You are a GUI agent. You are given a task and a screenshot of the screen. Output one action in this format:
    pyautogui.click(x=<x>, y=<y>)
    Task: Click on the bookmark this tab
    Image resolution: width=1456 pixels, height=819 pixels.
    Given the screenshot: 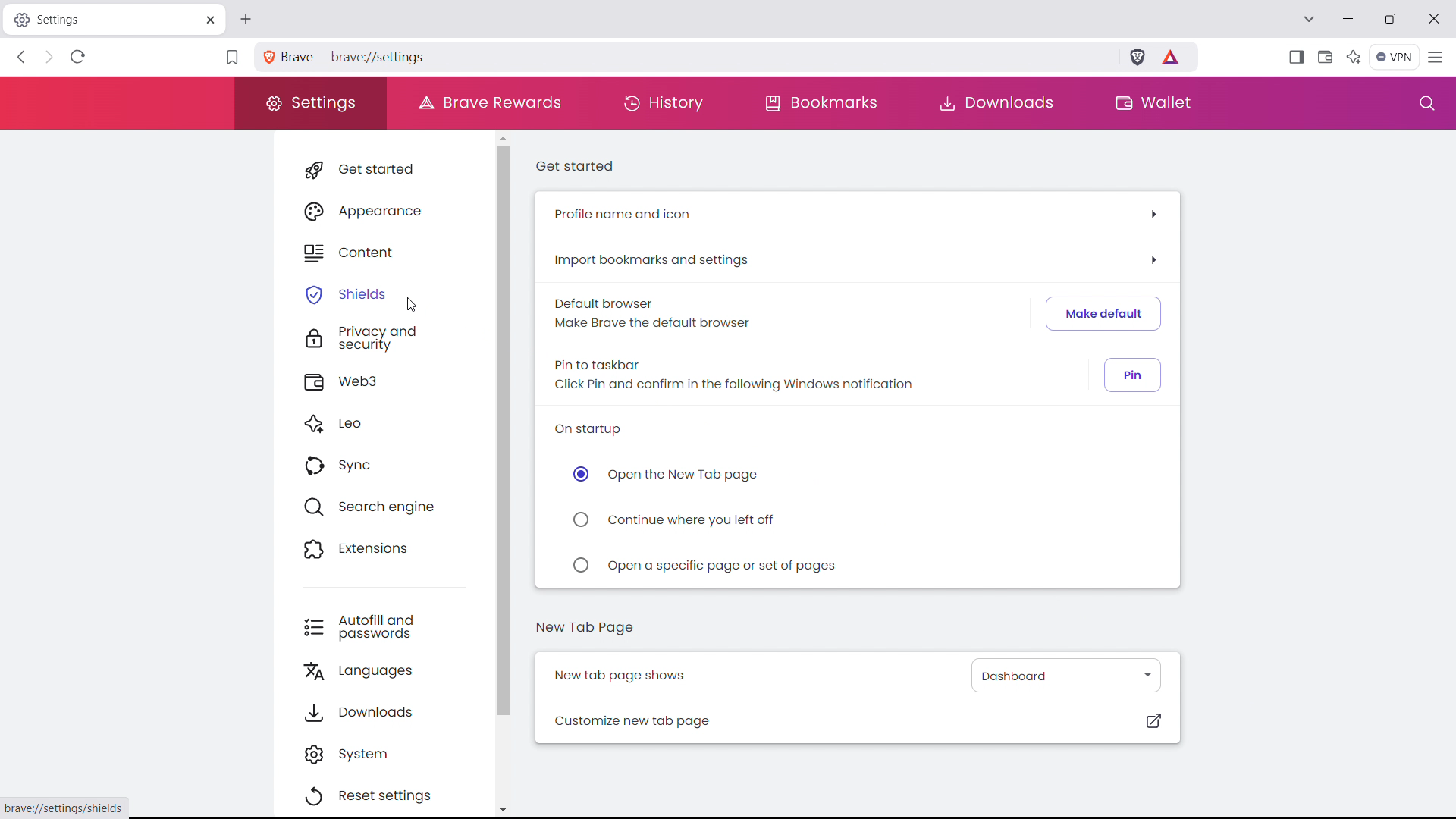 What is the action you would take?
    pyautogui.click(x=232, y=58)
    